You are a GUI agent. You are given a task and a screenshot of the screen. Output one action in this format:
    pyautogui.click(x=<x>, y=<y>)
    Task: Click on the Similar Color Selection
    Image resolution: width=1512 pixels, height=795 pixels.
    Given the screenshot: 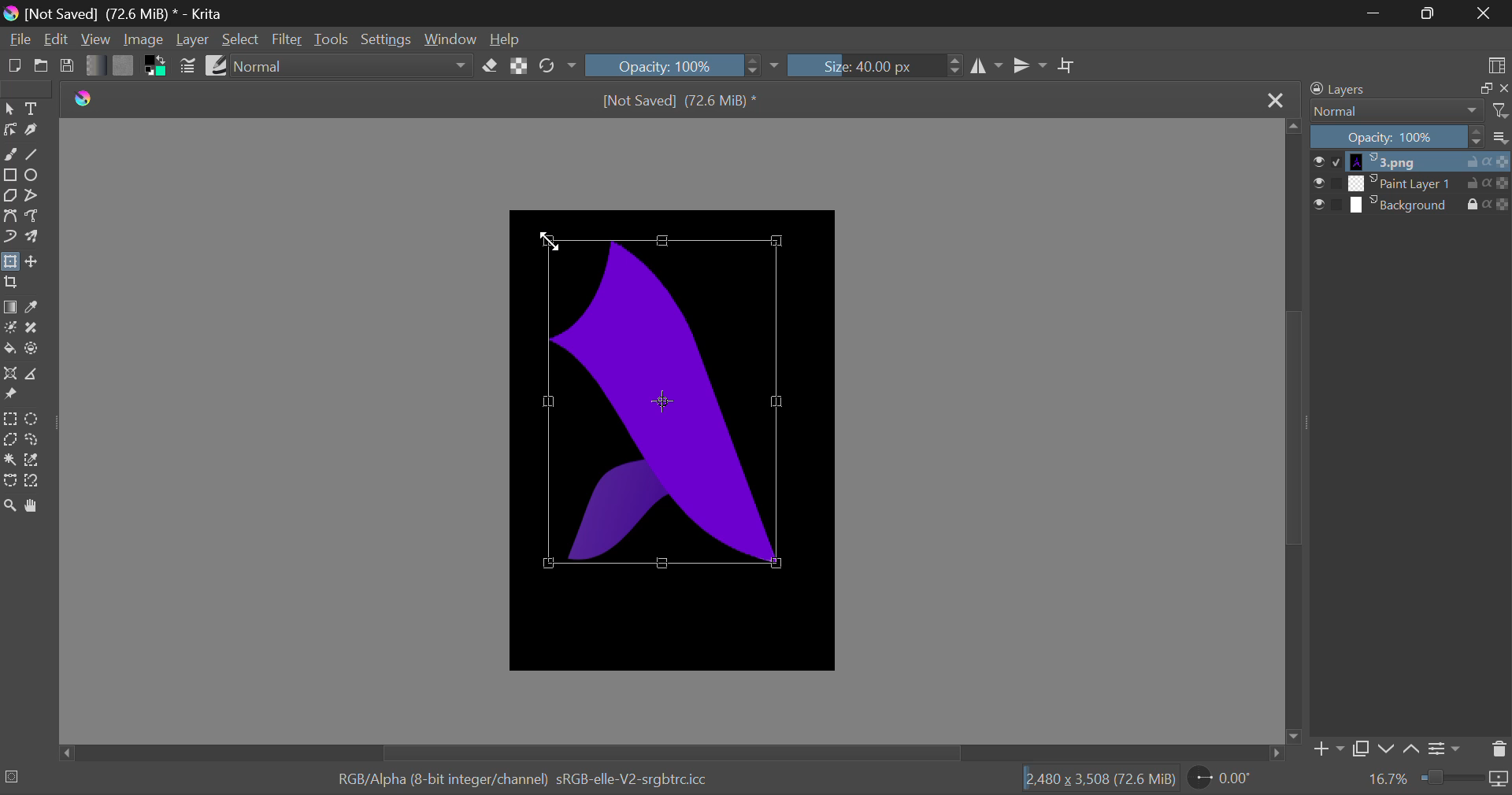 What is the action you would take?
    pyautogui.click(x=32, y=460)
    